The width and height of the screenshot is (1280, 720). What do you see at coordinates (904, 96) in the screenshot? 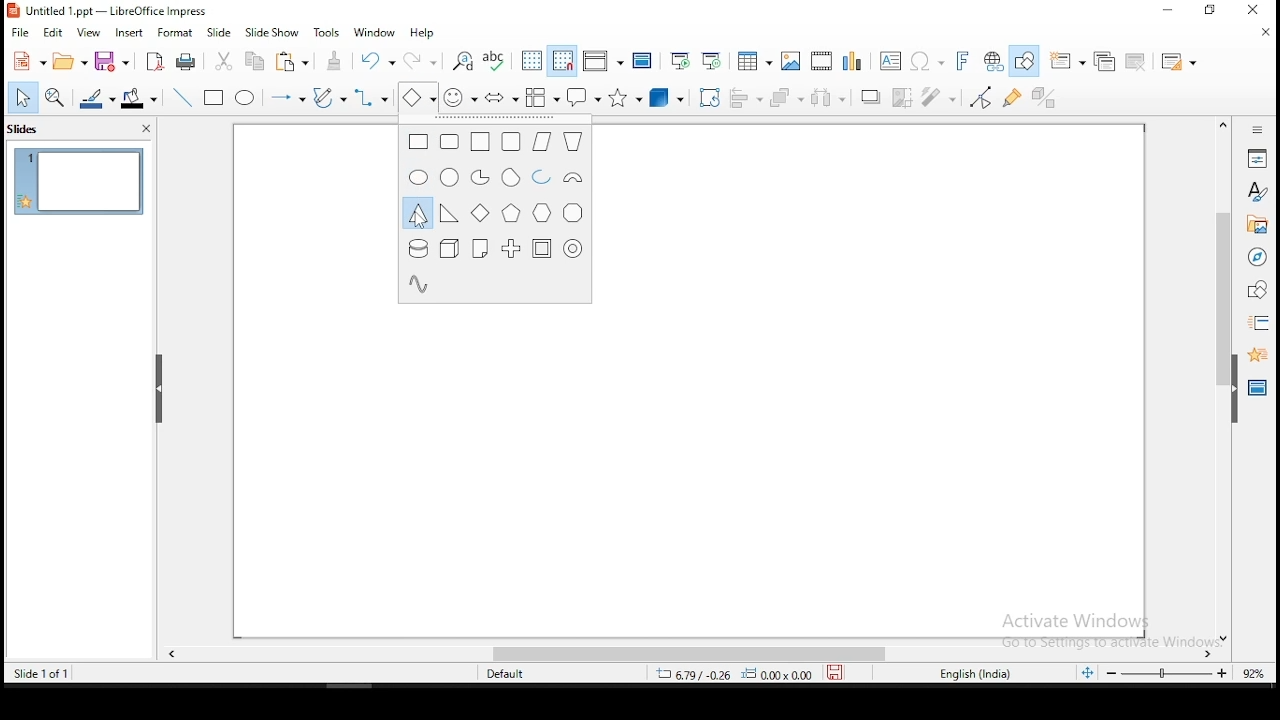
I see `crop image` at bounding box center [904, 96].